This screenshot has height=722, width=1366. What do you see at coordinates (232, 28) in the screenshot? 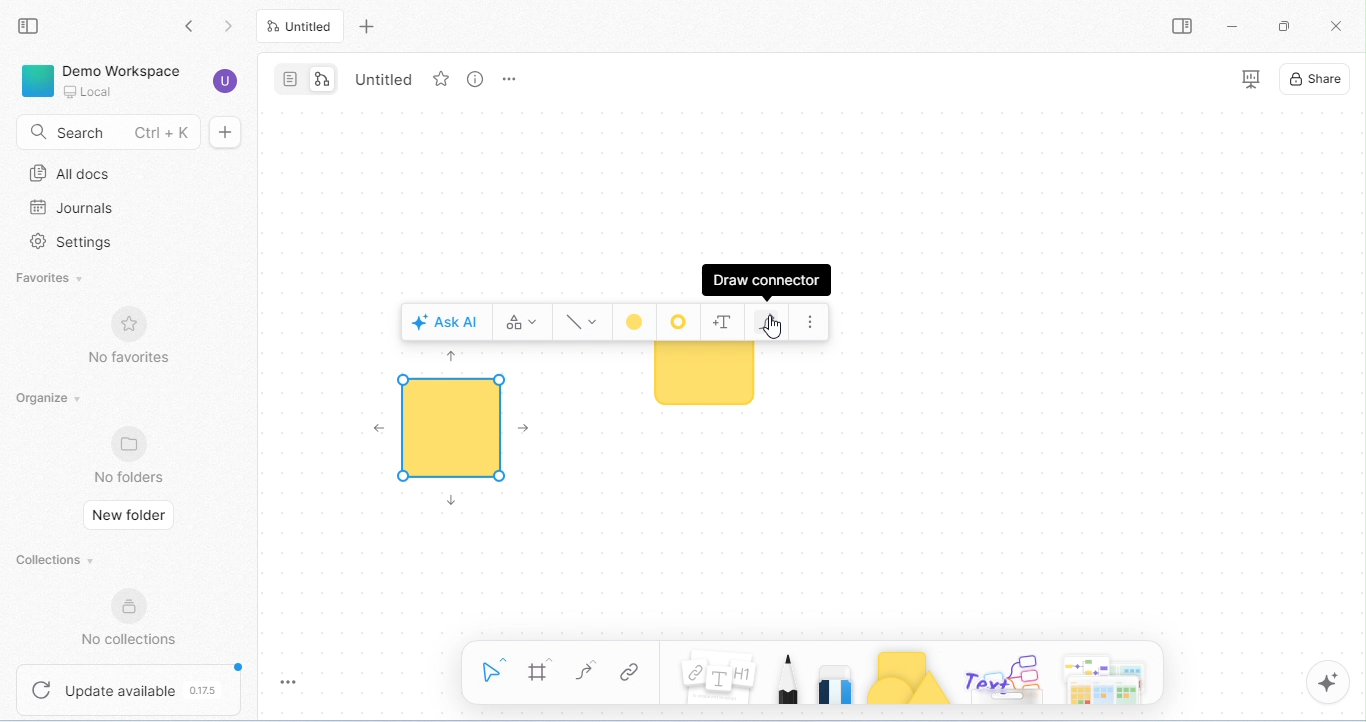
I see `go previous` at bounding box center [232, 28].